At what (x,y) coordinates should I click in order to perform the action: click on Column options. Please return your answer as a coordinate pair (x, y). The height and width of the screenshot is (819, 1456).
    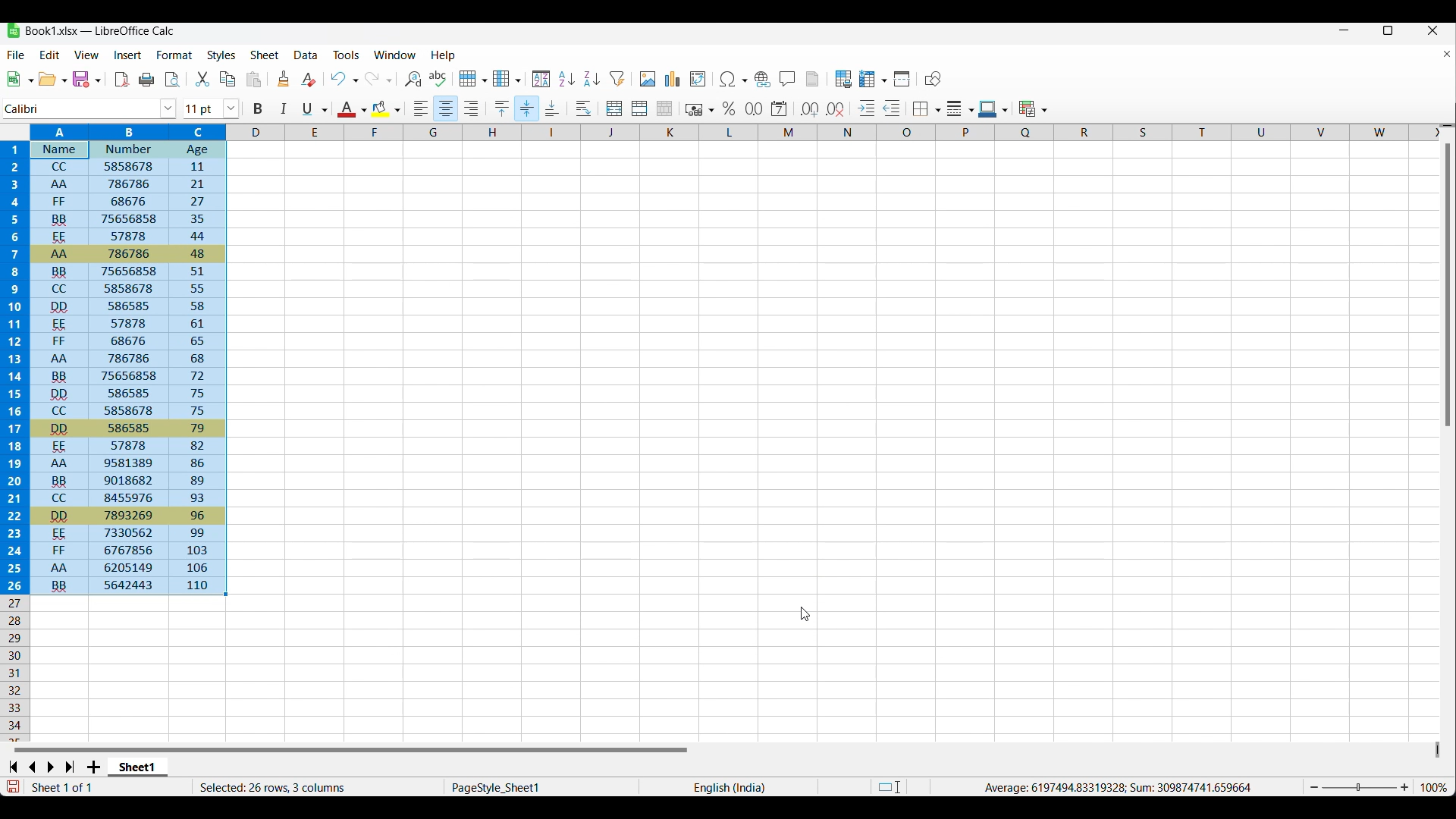
    Looking at the image, I should click on (507, 78).